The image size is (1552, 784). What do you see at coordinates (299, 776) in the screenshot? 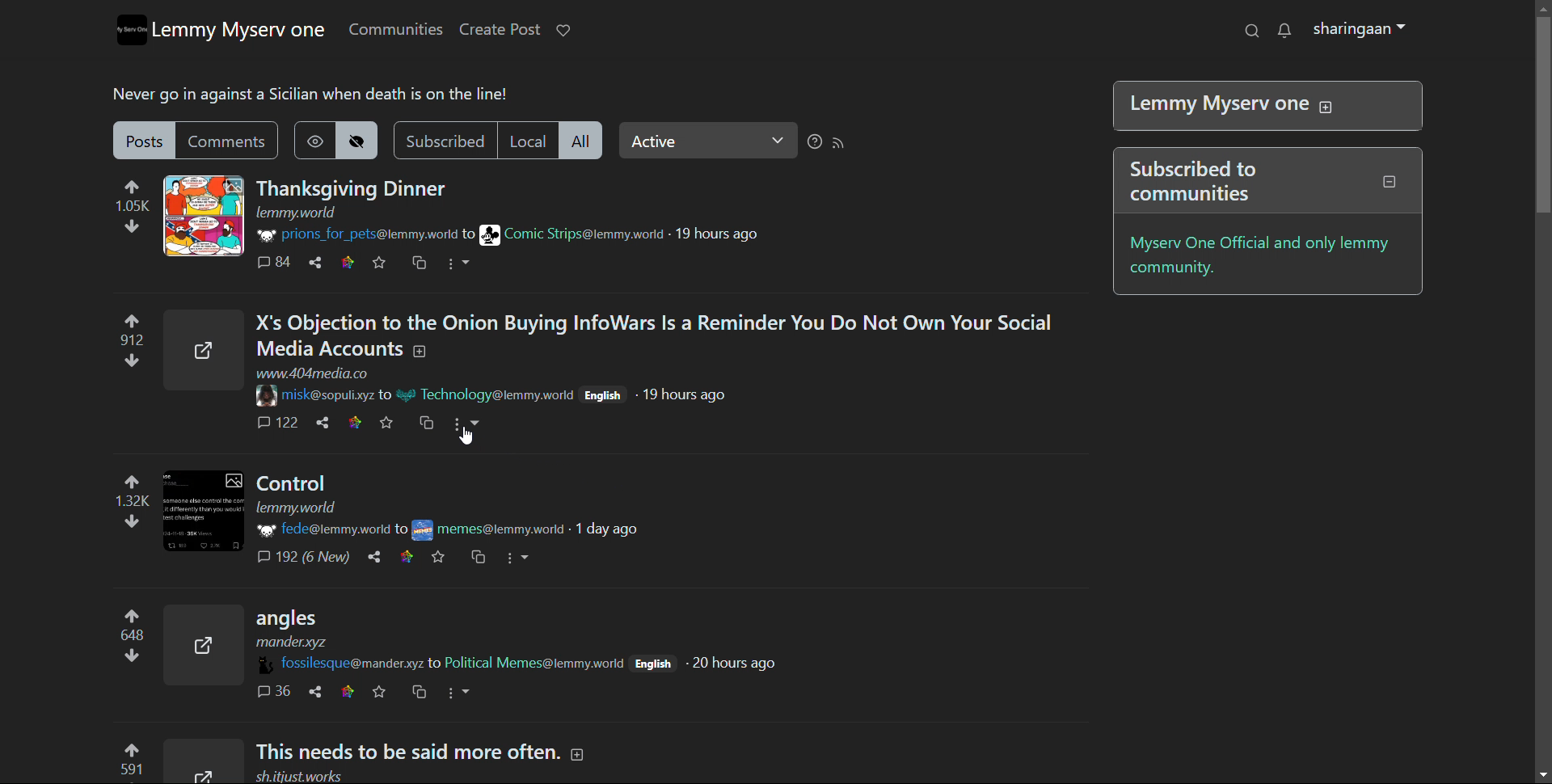
I see `url` at bounding box center [299, 776].